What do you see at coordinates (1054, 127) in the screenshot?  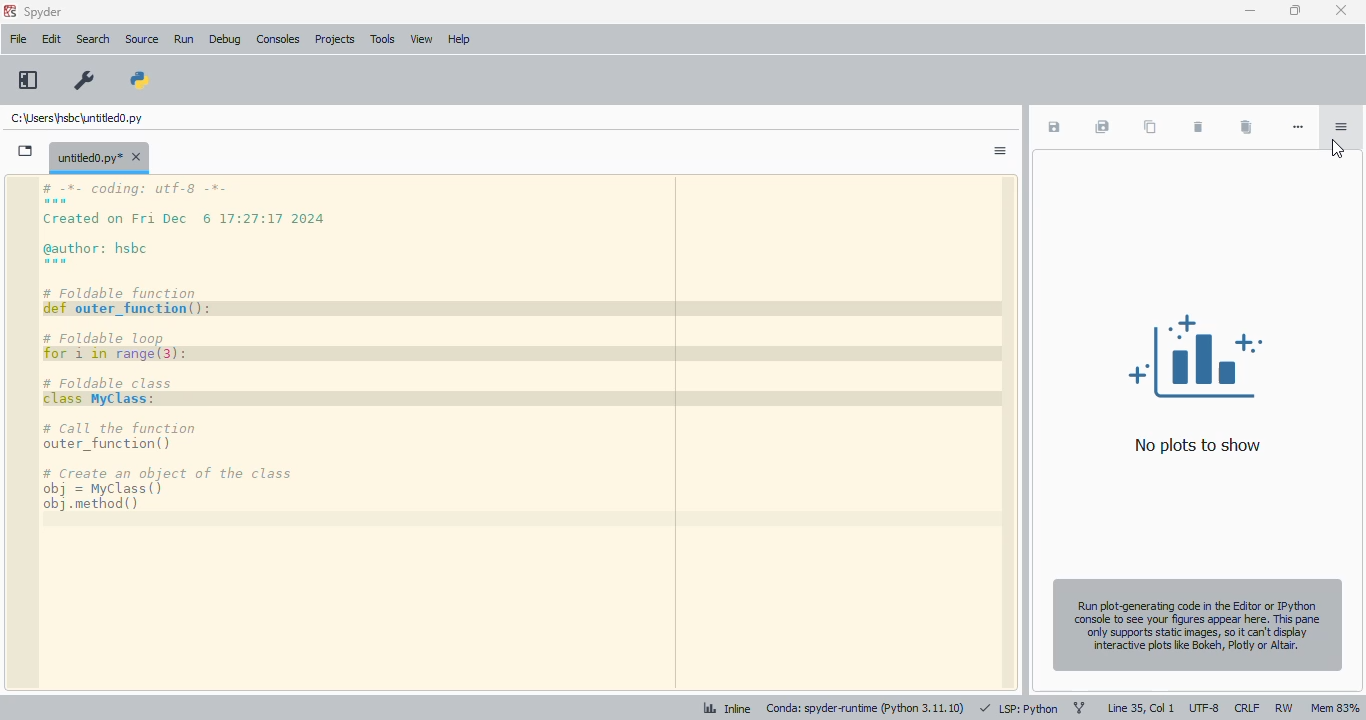 I see `save plot as ` at bounding box center [1054, 127].